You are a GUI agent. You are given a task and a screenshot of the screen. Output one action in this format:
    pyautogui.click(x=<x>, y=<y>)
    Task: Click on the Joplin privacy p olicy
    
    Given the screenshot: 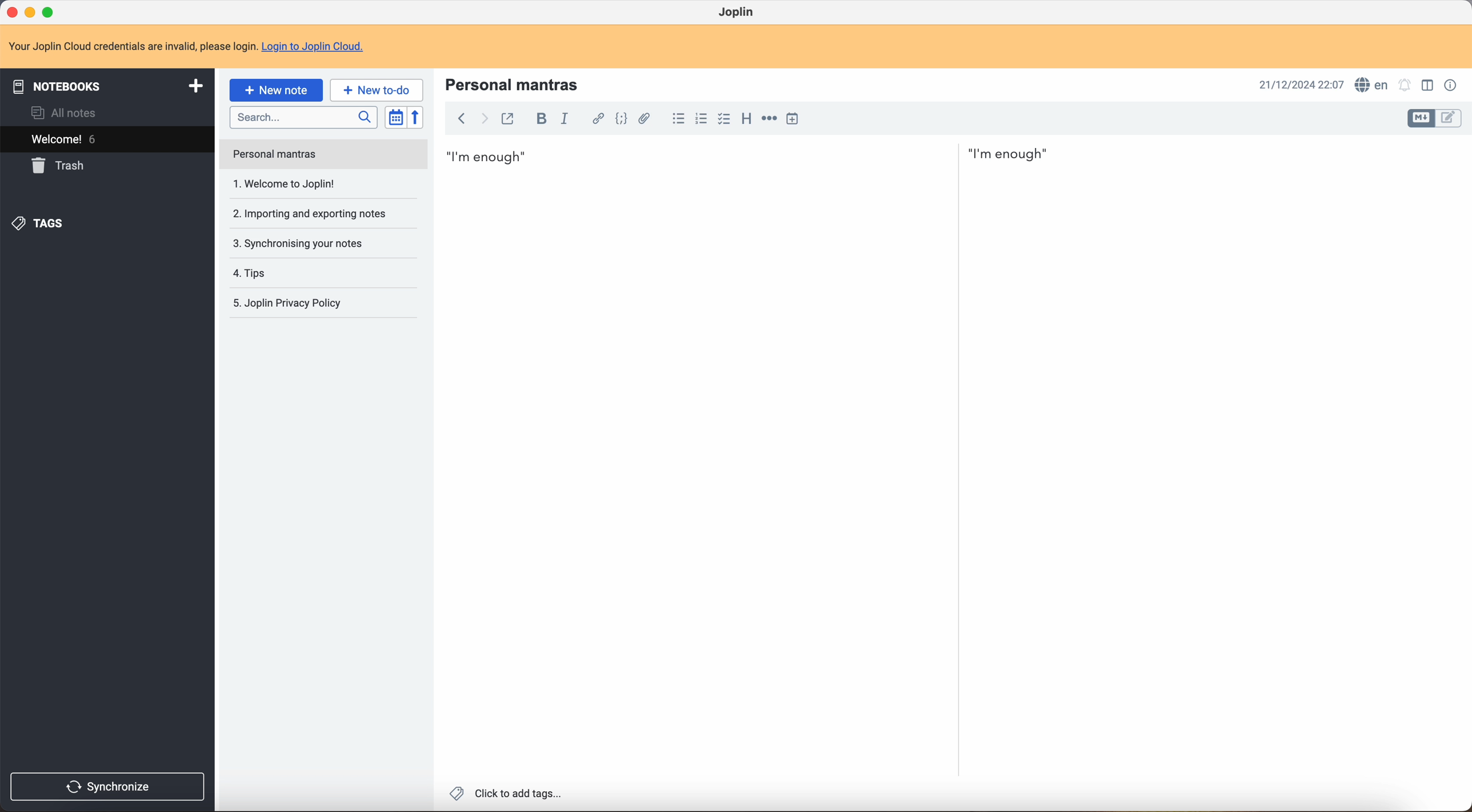 What is the action you would take?
    pyautogui.click(x=286, y=303)
    